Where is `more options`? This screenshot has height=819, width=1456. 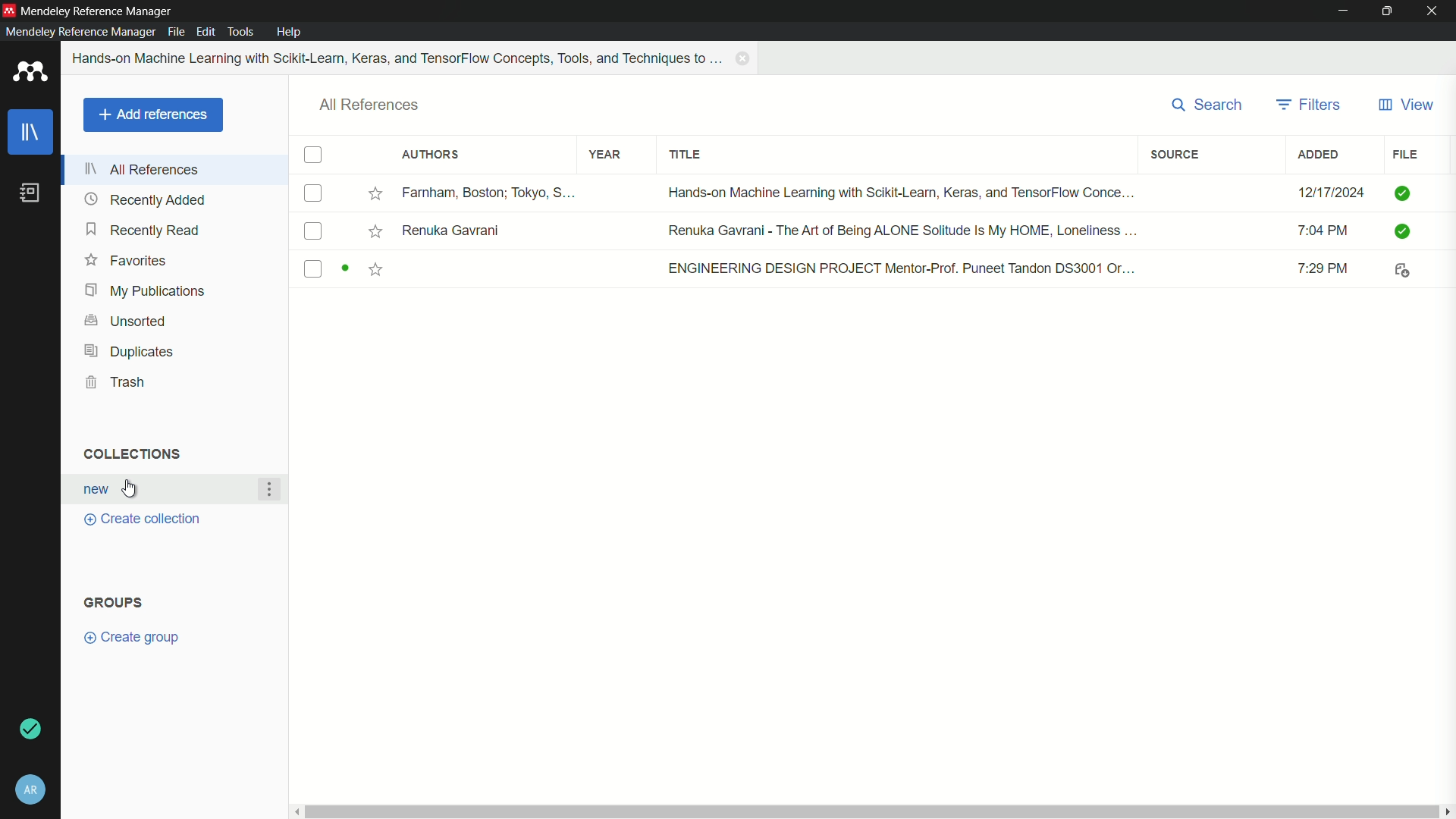
more options is located at coordinates (270, 490).